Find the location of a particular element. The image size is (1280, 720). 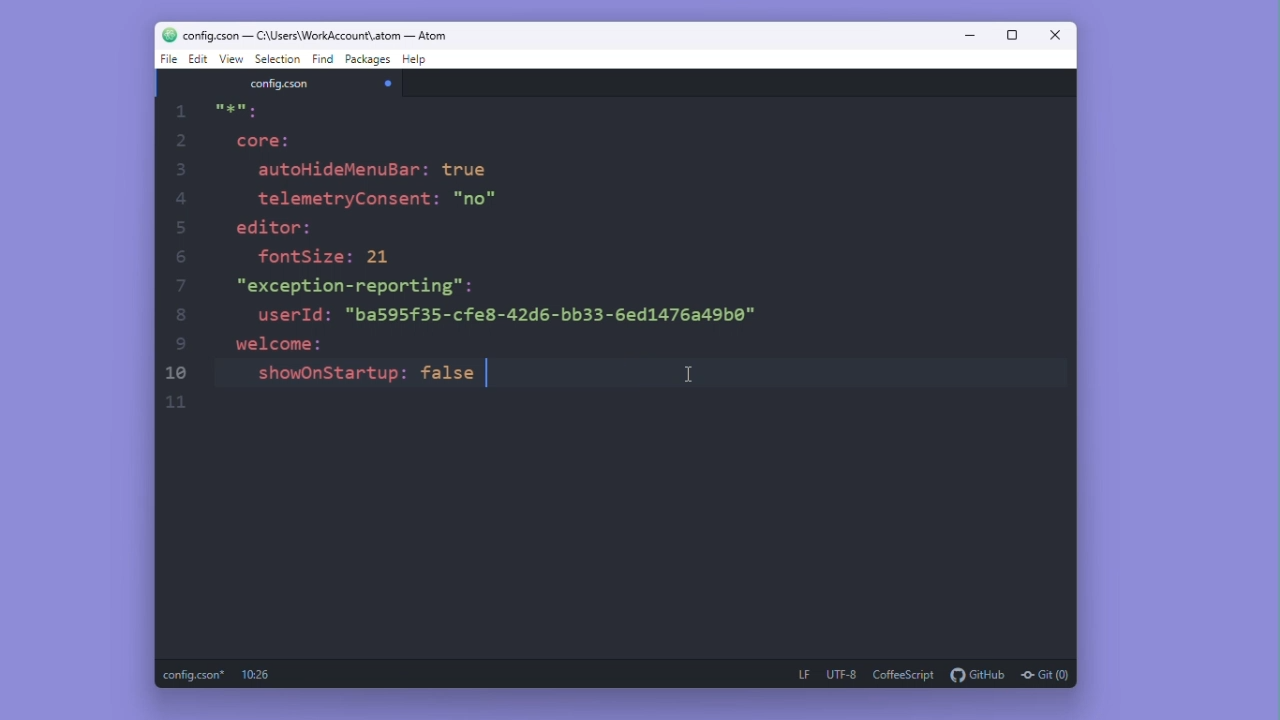

LILYcore:autoHideMenuBar: truetelemetryConsent: "no"editor:fontSize: 21"exception-reporting”:userId: "ba595f35-cfe8-42d6-bb33-6ed1476a49b0"welcome:showOnStartup: false  is located at coordinates (490, 250).